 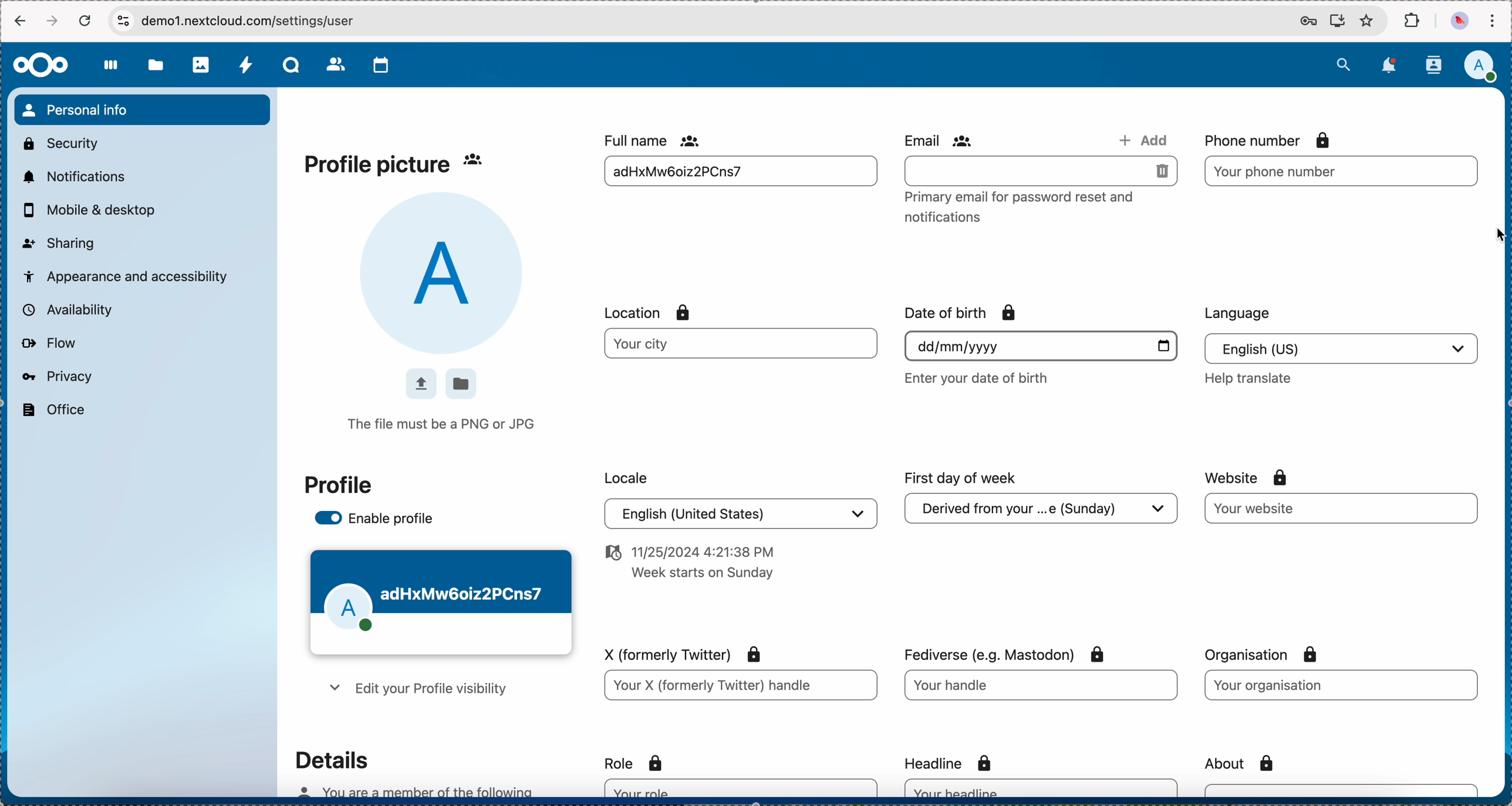 What do you see at coordinates (655, 140) in the screenshot?
I see `full name` at bounding box center [655, 140].